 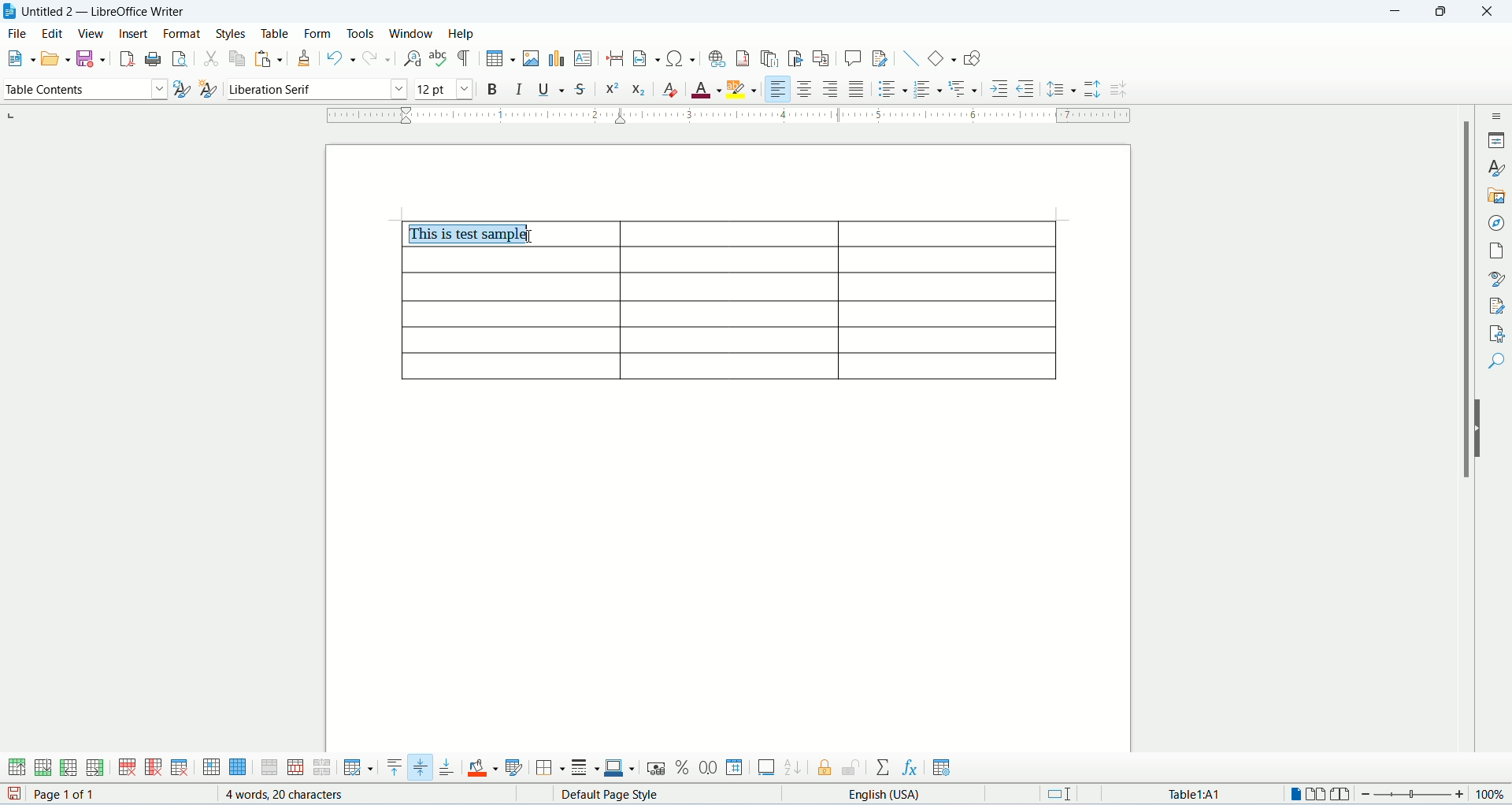 I want to click on align center, so click(x=807, y=89).